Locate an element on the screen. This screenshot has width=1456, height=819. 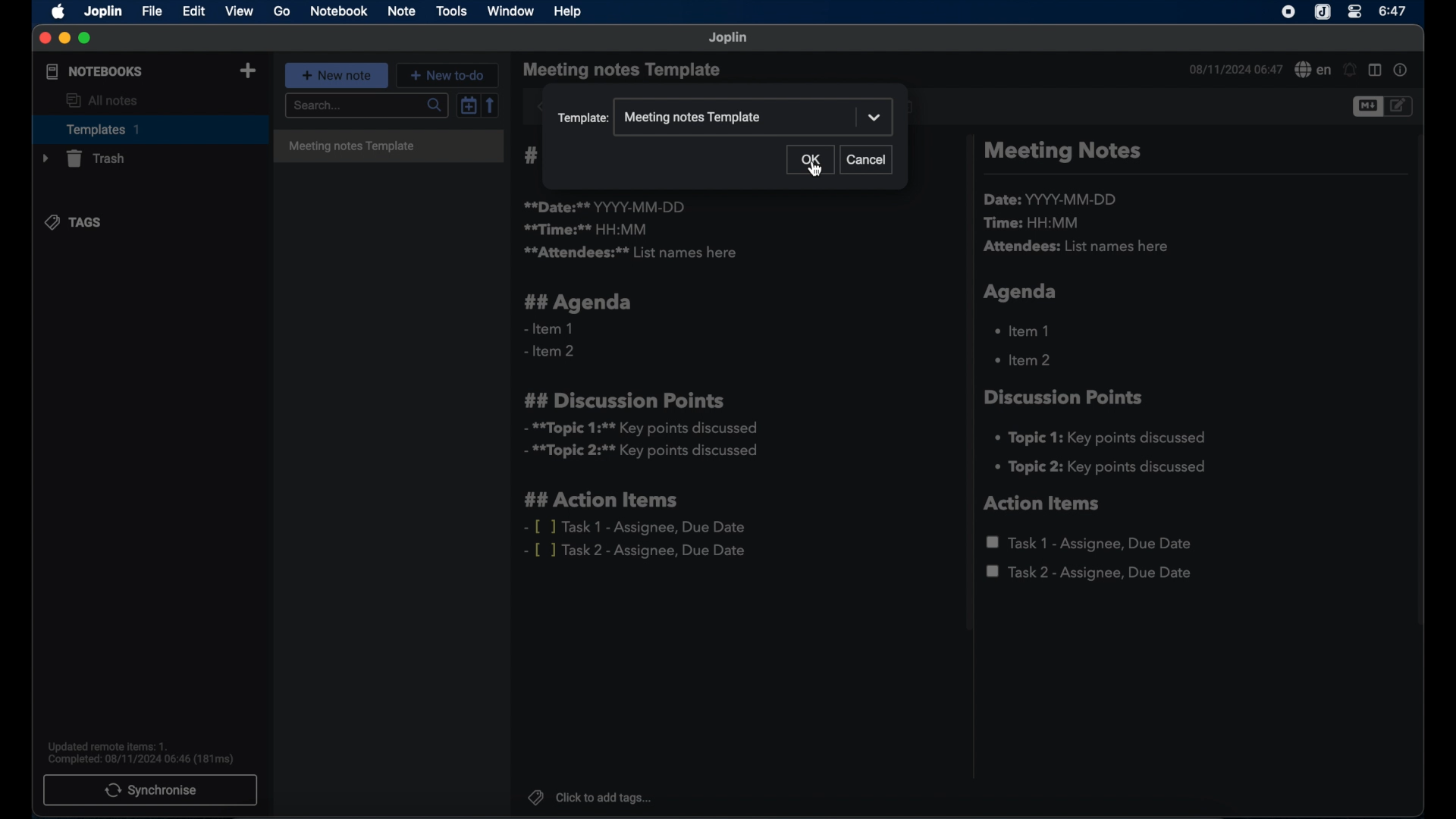
meeting notes template is located at coordinates (624, 71).